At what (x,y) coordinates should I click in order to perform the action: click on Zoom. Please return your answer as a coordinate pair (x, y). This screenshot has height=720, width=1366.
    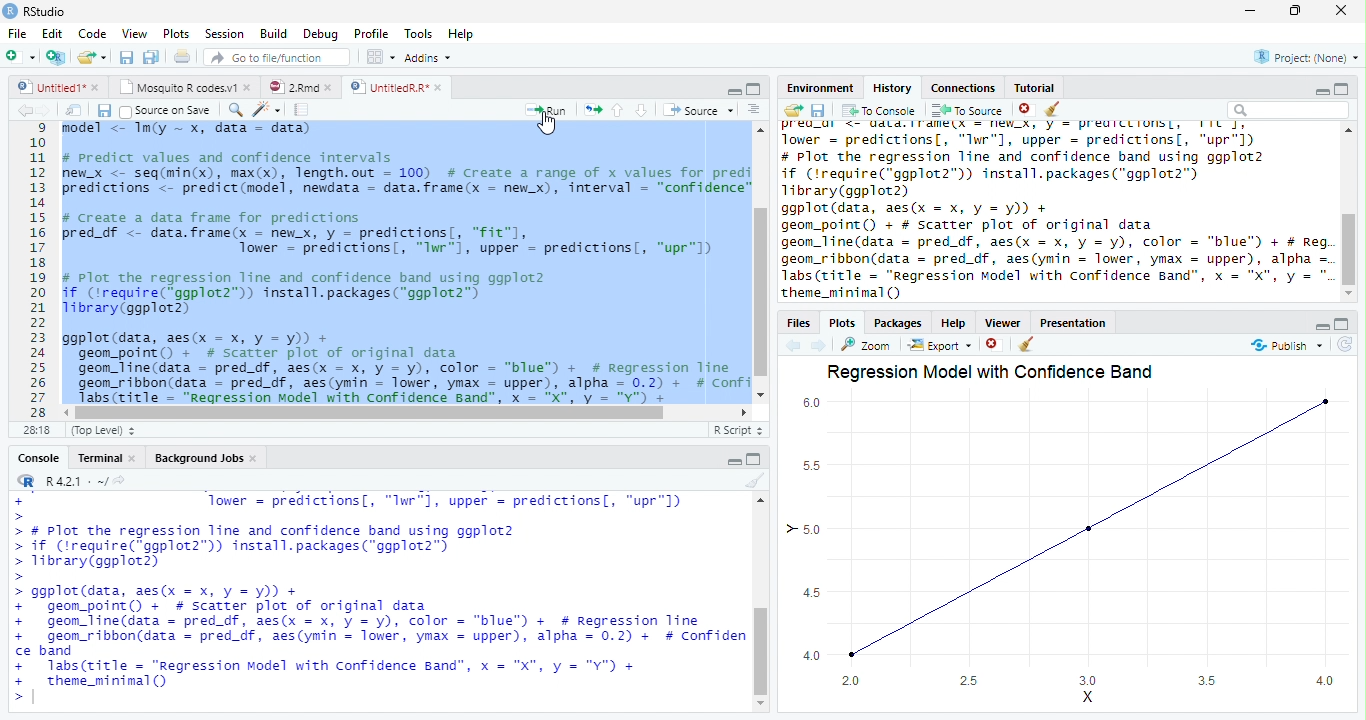
    Looking at the image, I should click on (235, 112).